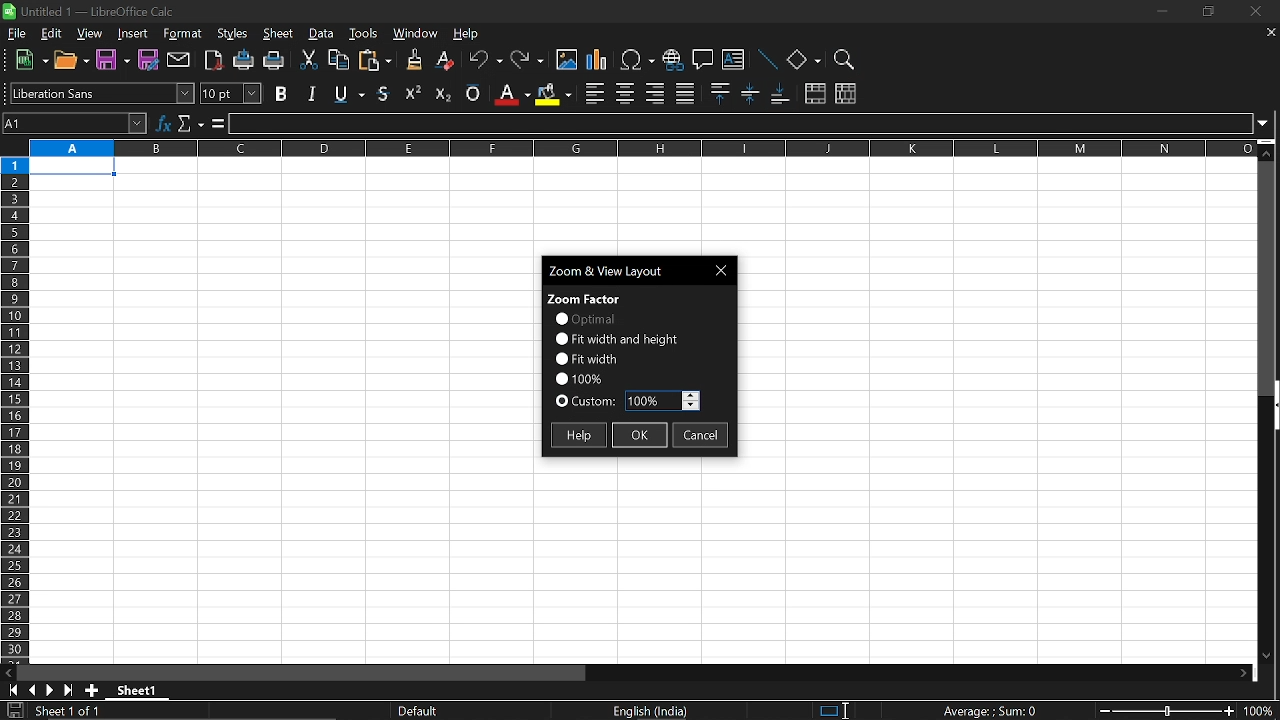 The height and width of the screenshot is (720, 1280). What do you see at coordinates (142, 690) in the screenshot?
I see `sheet name` at bounding box center [142, 690].